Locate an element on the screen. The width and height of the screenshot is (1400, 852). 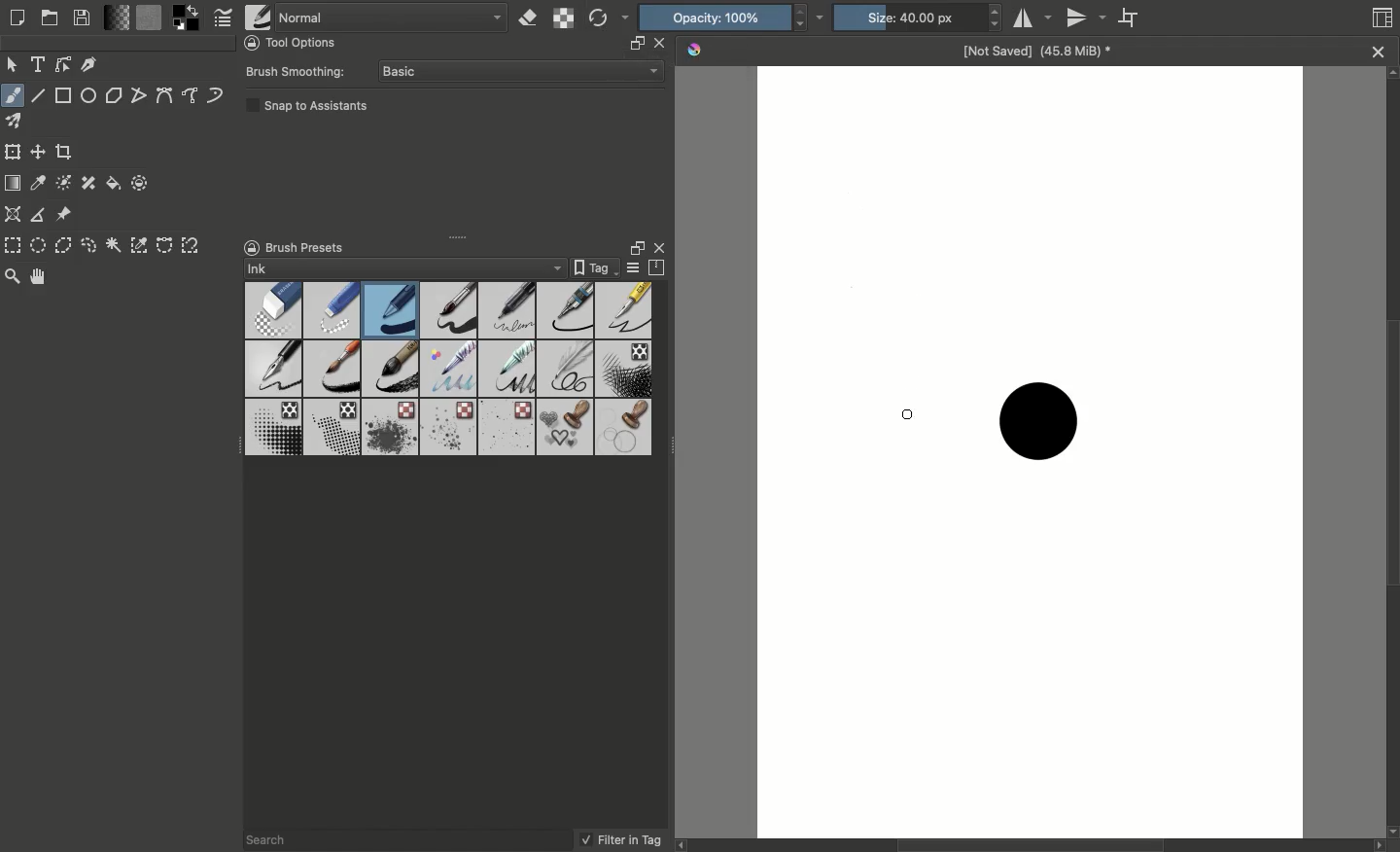
Wrap around mode is located at coordinates (1132, 17).